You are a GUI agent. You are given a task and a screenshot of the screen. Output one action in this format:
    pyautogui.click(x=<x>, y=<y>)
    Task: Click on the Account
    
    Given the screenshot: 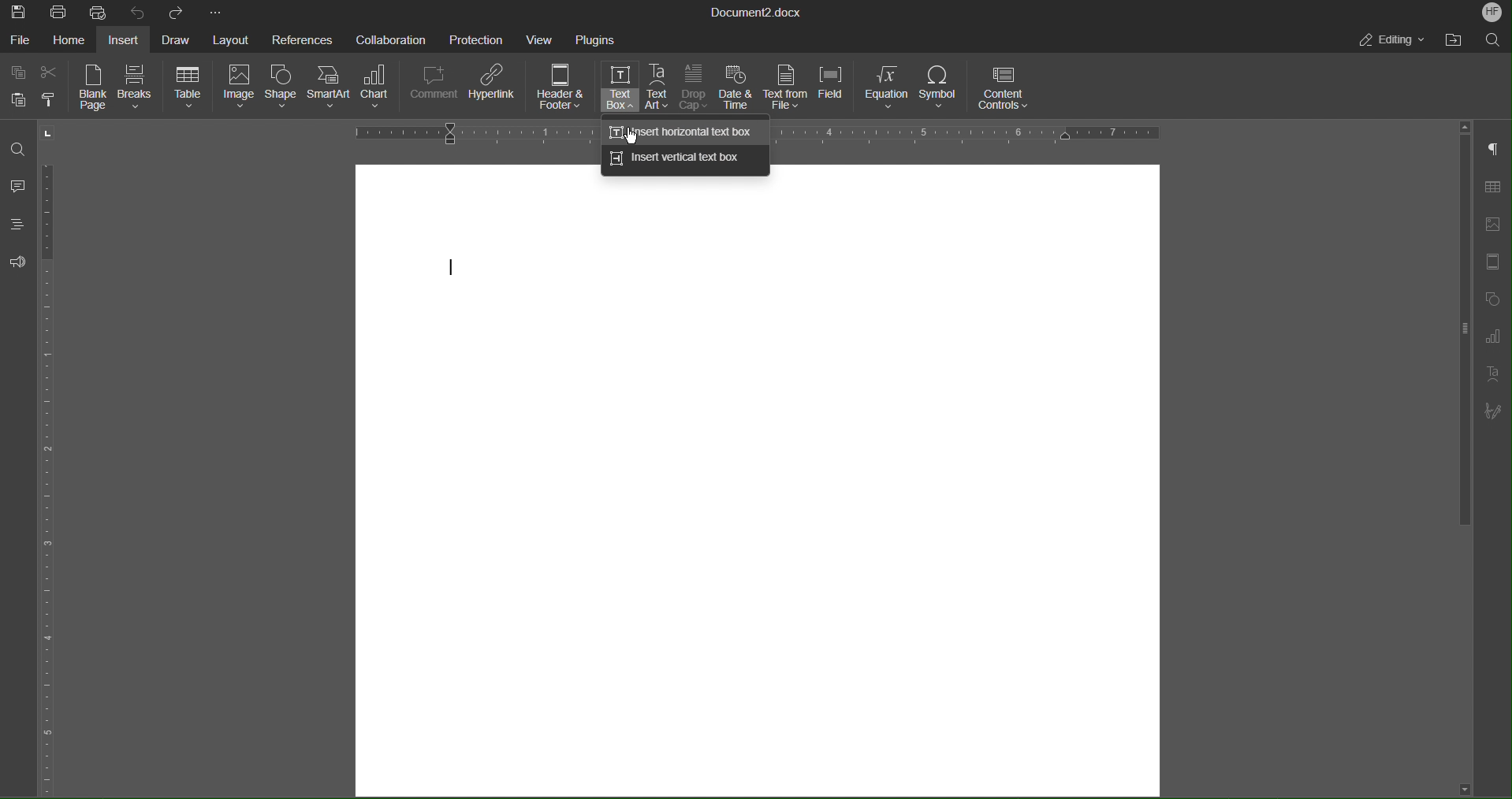 What is the action you would take?
    pyautogui.click(x=1492, y=13)
    